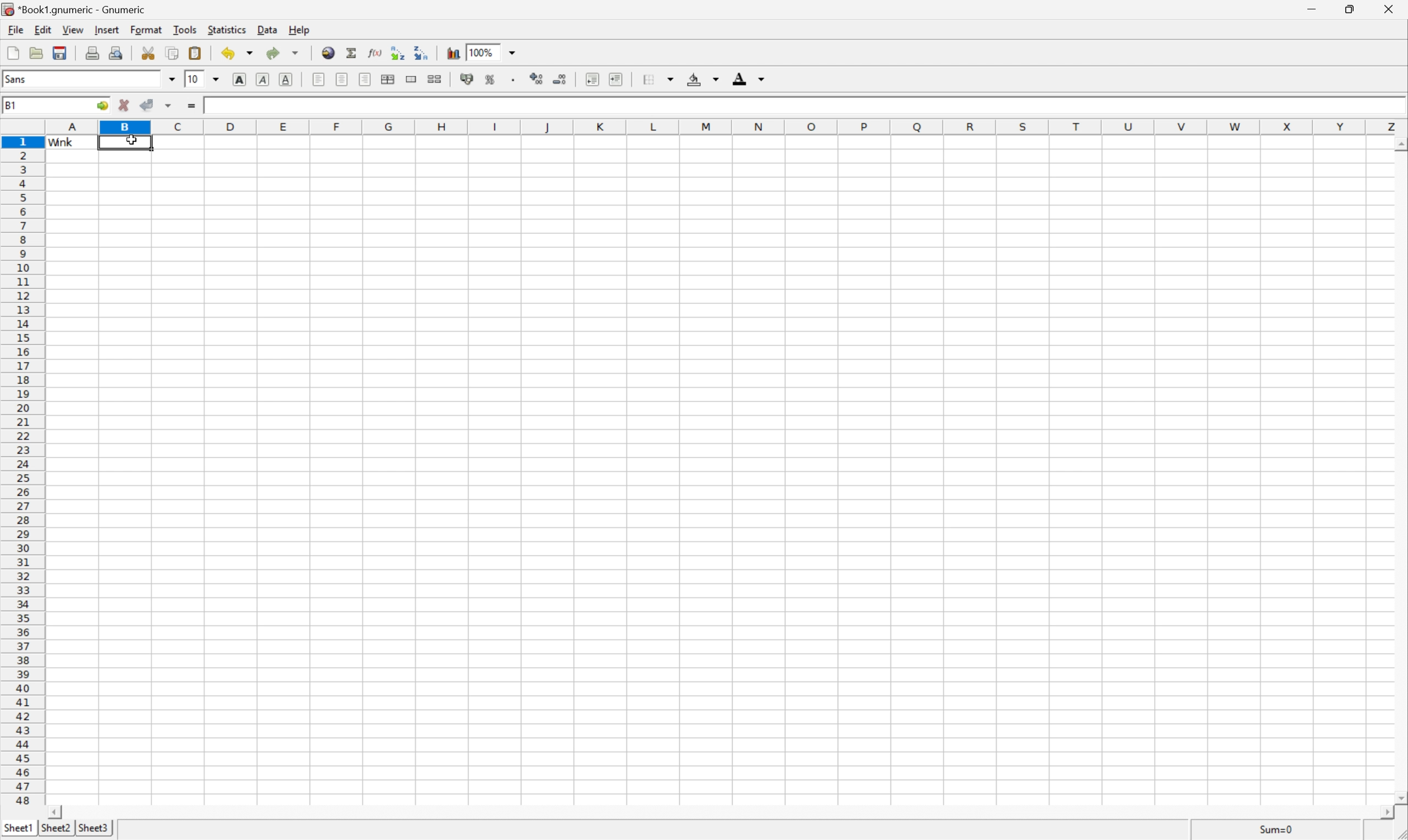 Image resolution: width=1408 pixels, height=840 pixels. Describe the element at coordinates (592, 79) in the screenshot. I see `decrease indent` at that location.